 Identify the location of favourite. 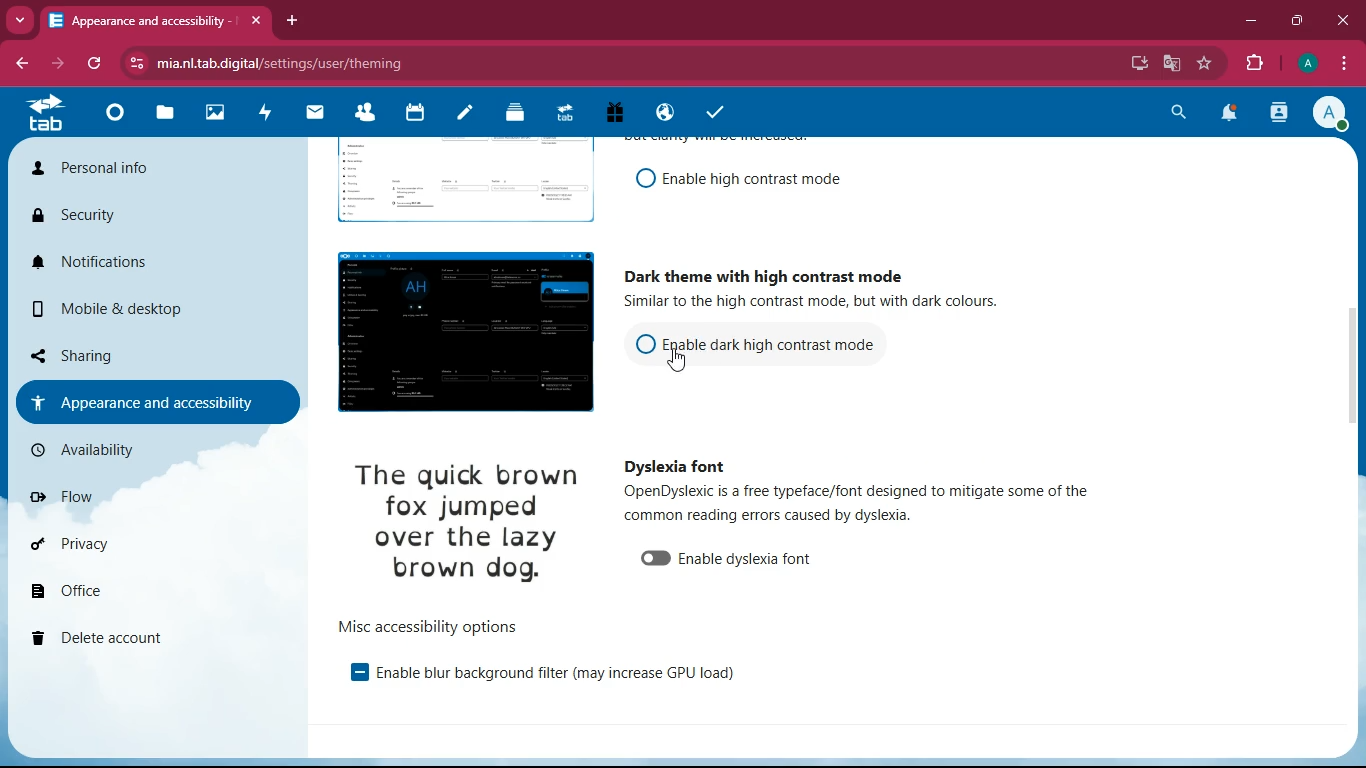
(1201, 64).